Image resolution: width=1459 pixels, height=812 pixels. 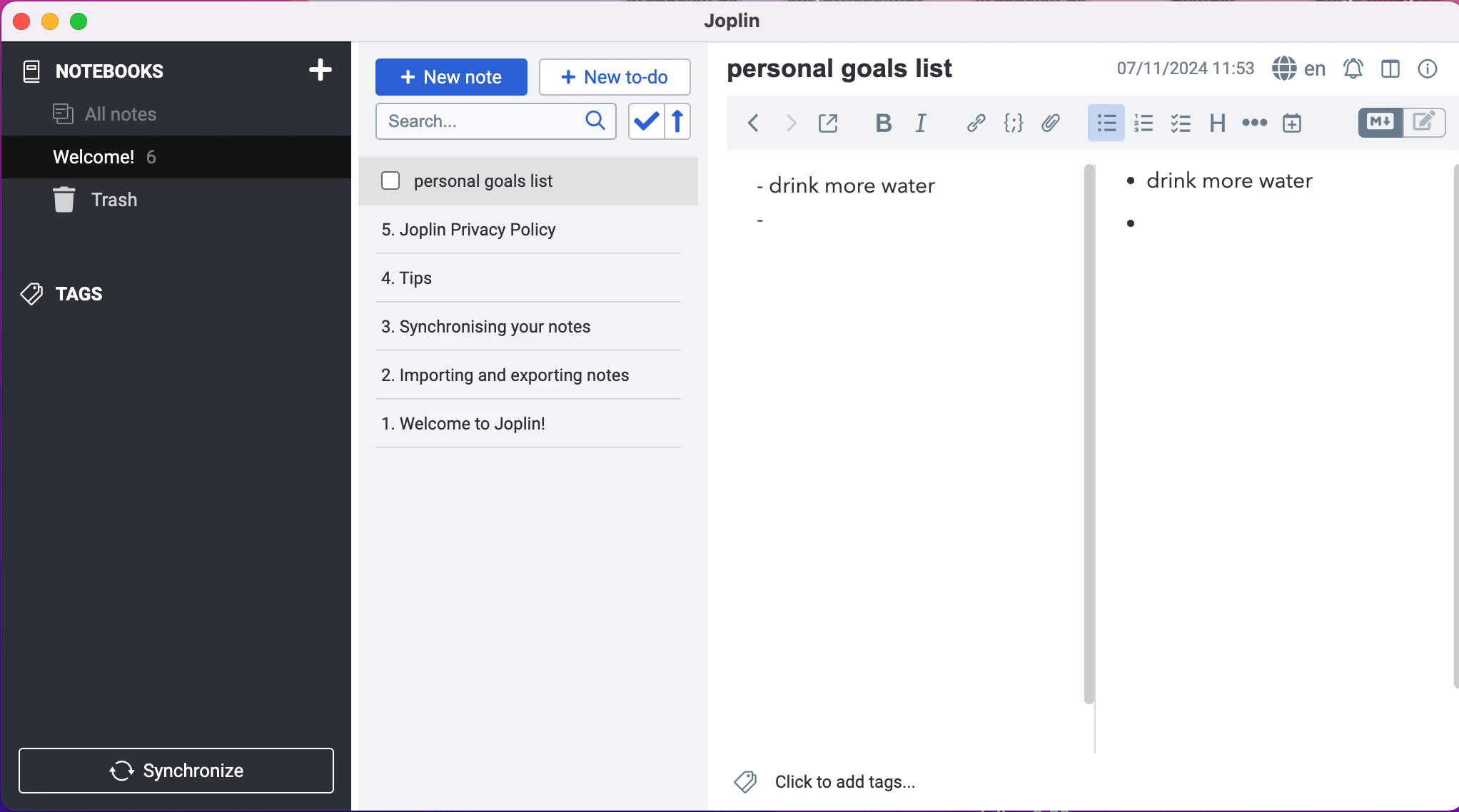 What do you see at coordinates (1105, 123) in the screenshot?
I see `bulleted lists` at bounding box center [1105, 123].